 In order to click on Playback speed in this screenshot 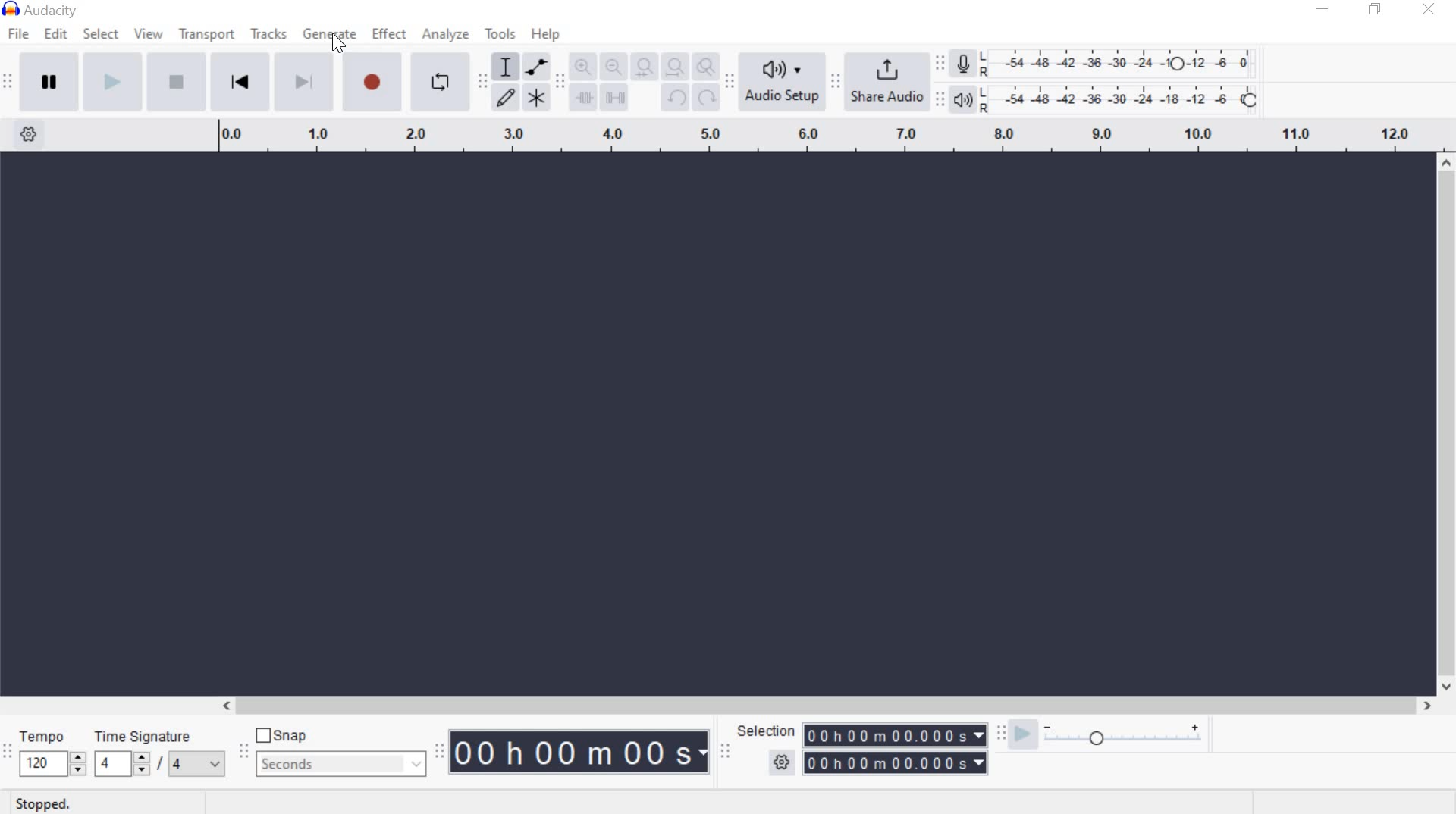, I will do `click(1123, 740)`.